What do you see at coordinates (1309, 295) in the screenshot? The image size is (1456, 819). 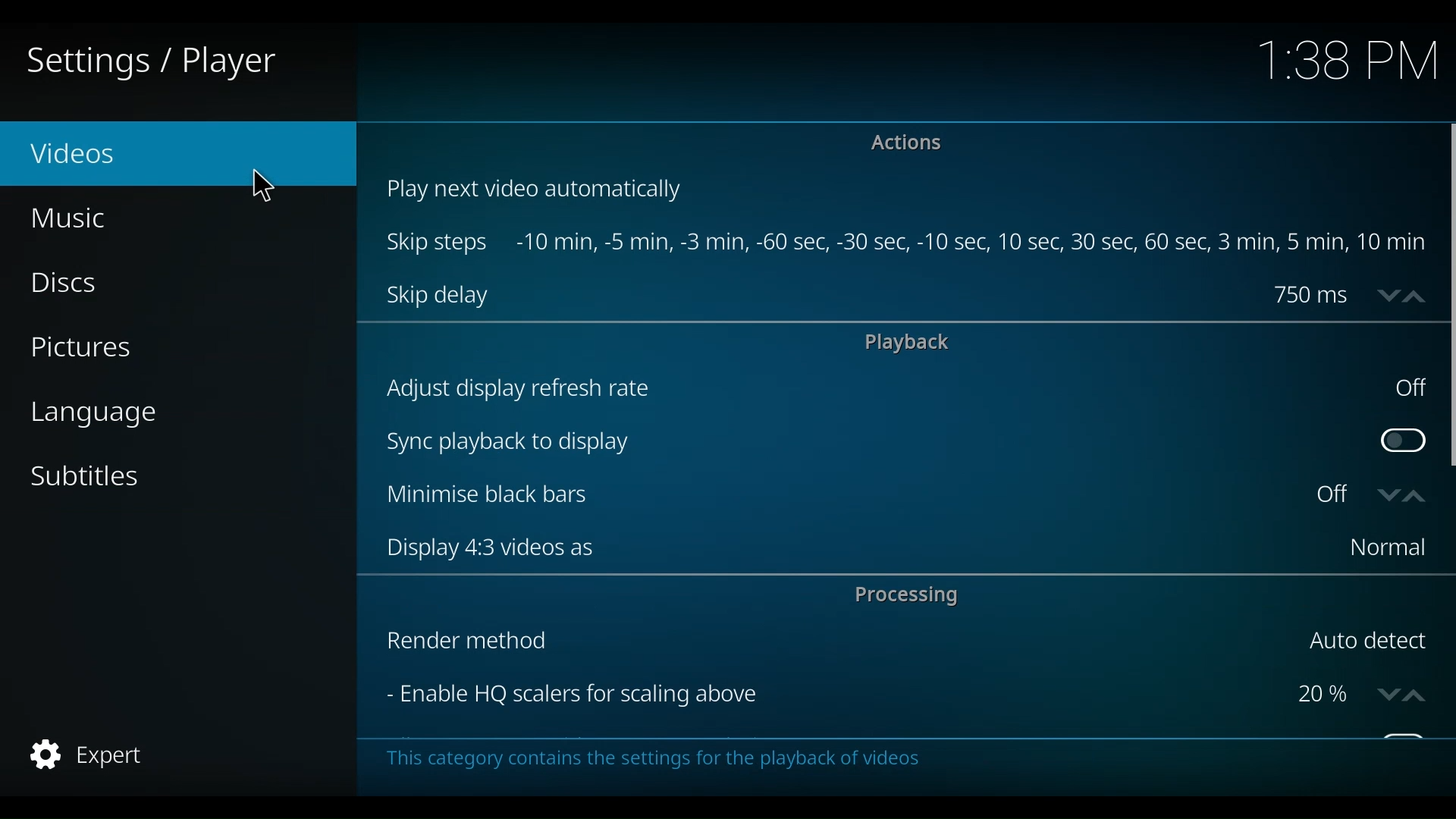 I see `750 ms` at bounding box center [1309, 295].